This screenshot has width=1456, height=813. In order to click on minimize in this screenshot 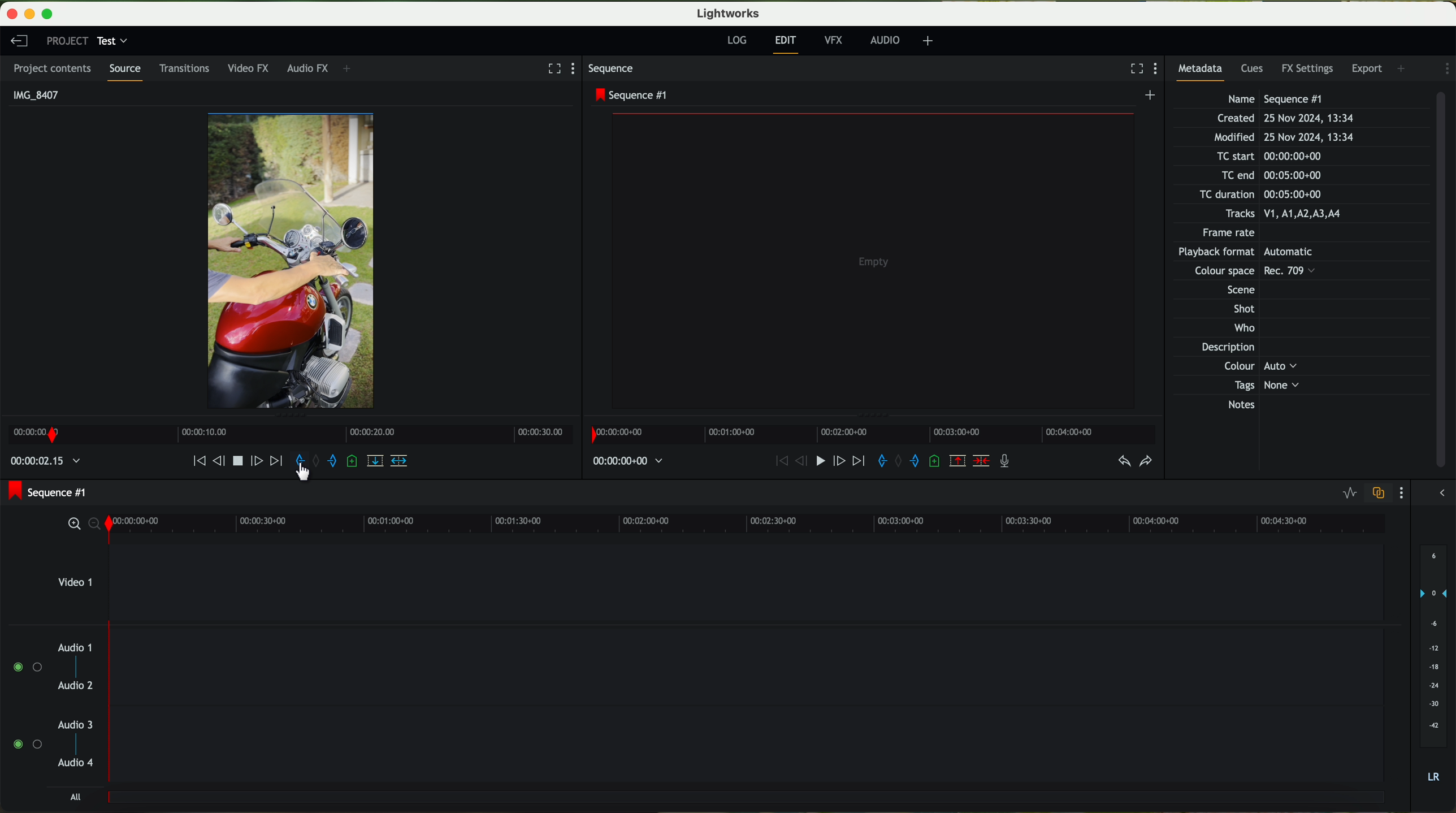, I will do `click(32, 15)`.